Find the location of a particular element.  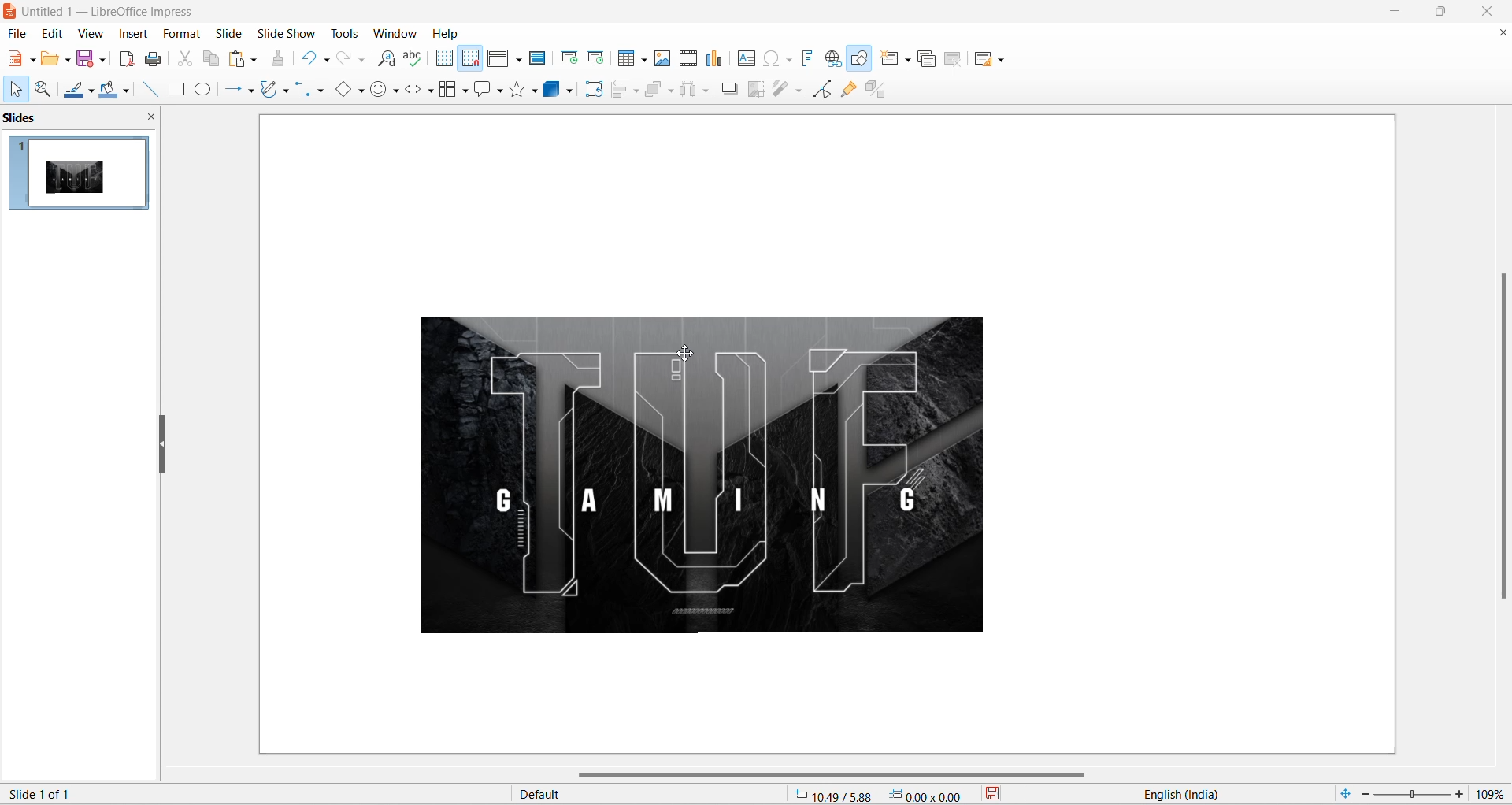

insert is located at coordinates (132, 35).